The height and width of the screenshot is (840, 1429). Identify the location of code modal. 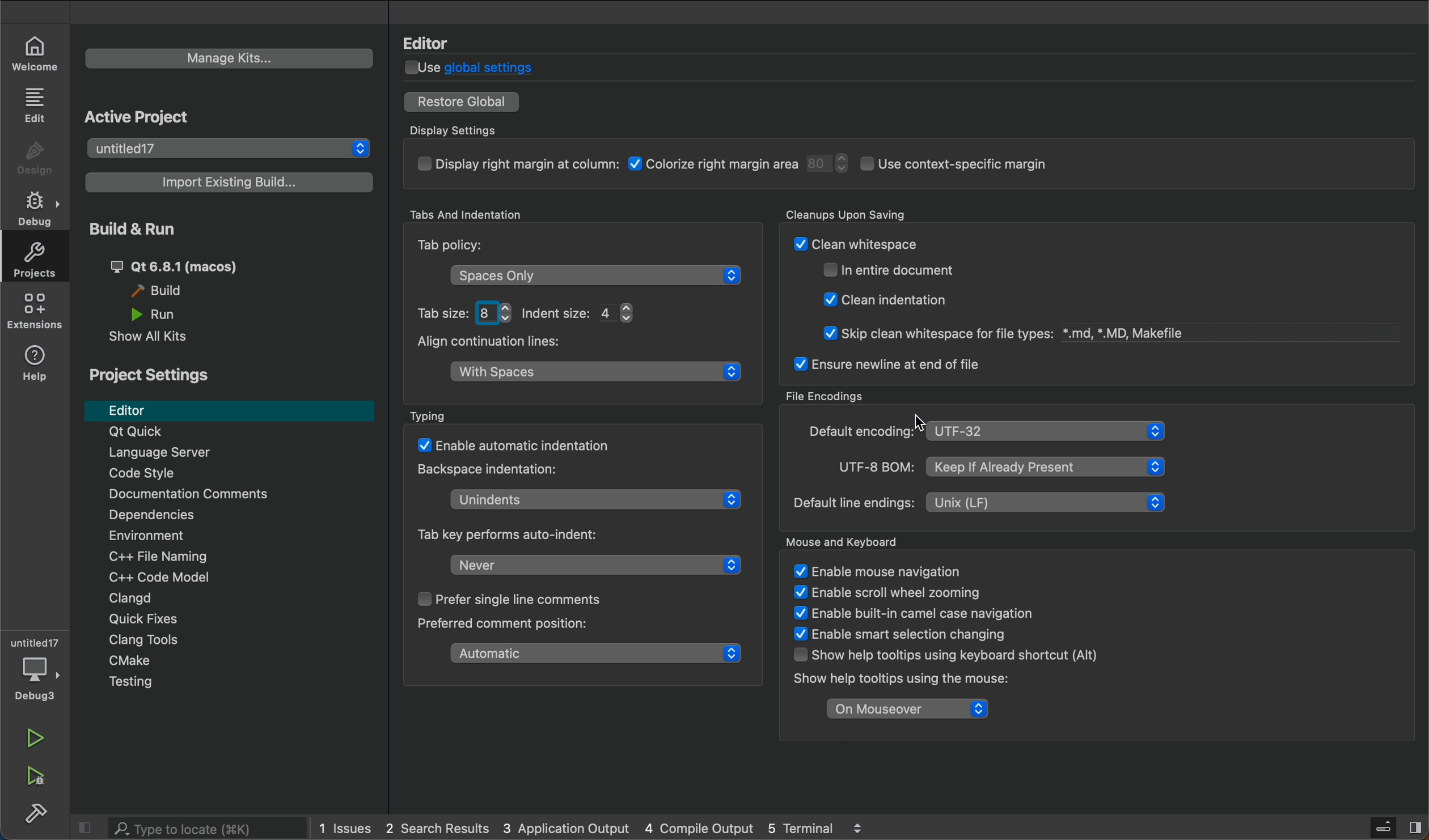
(218, 576).